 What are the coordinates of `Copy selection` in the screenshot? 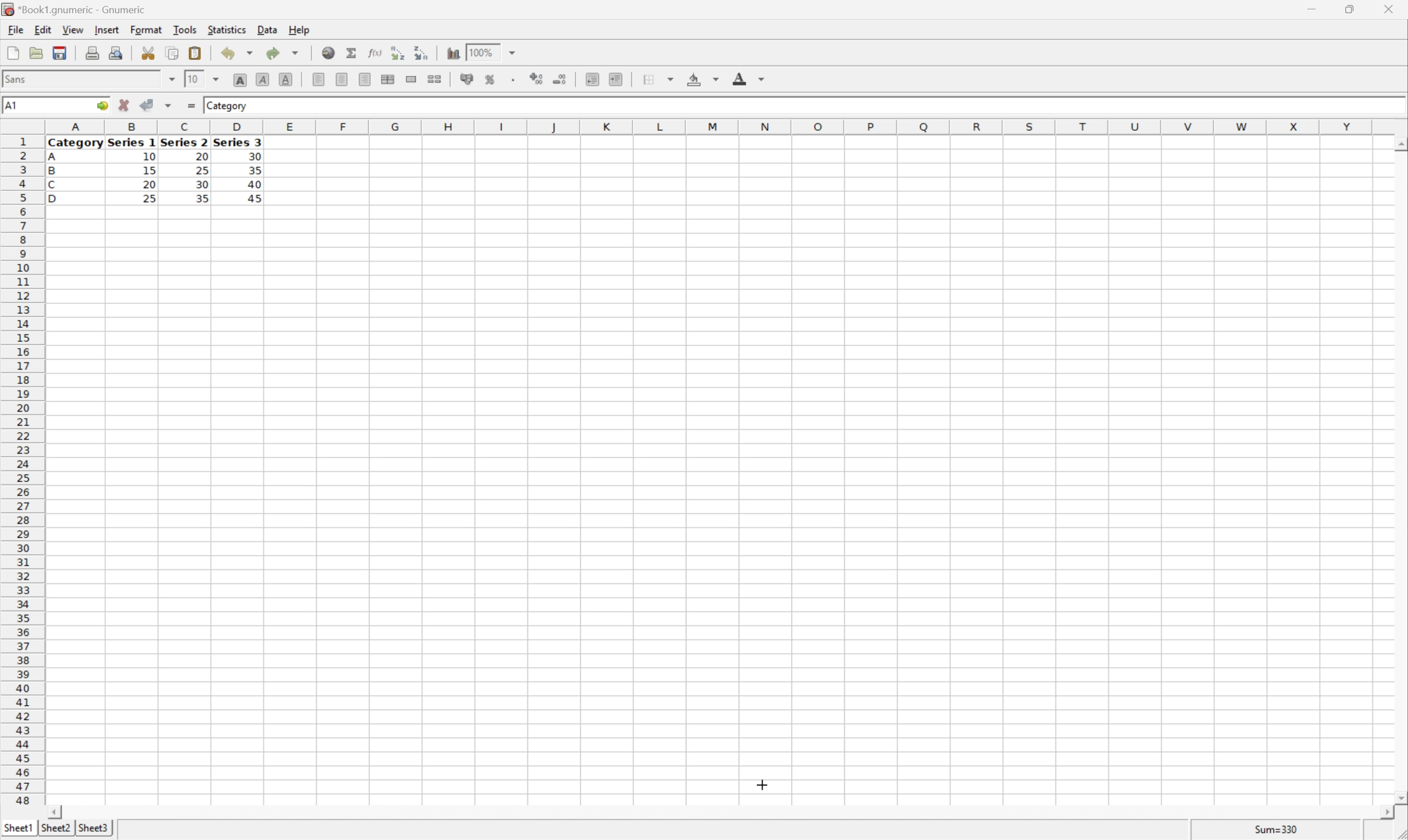 It's located at (173, 52).